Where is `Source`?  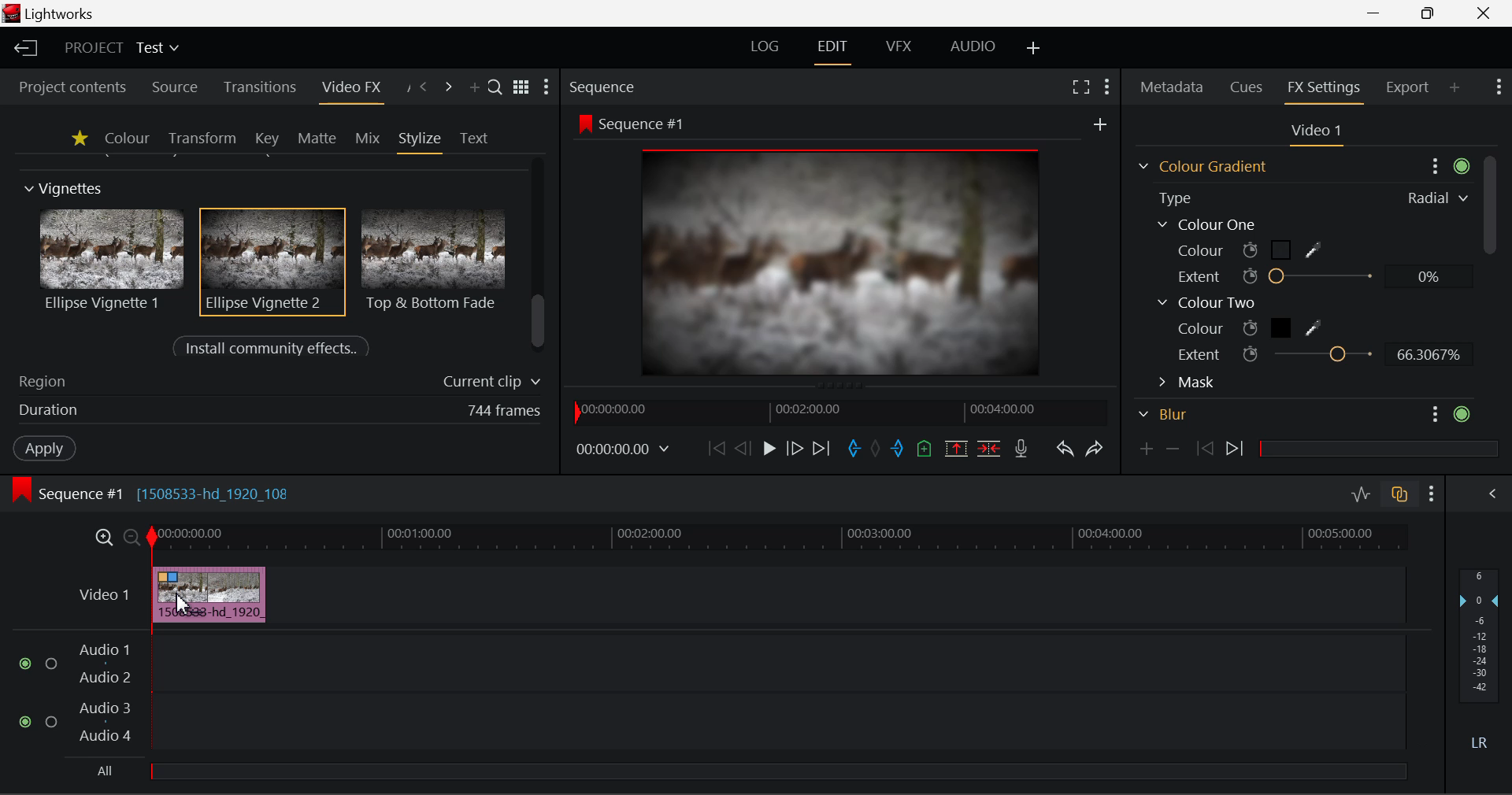
Source is located at coordinates (172, 86).